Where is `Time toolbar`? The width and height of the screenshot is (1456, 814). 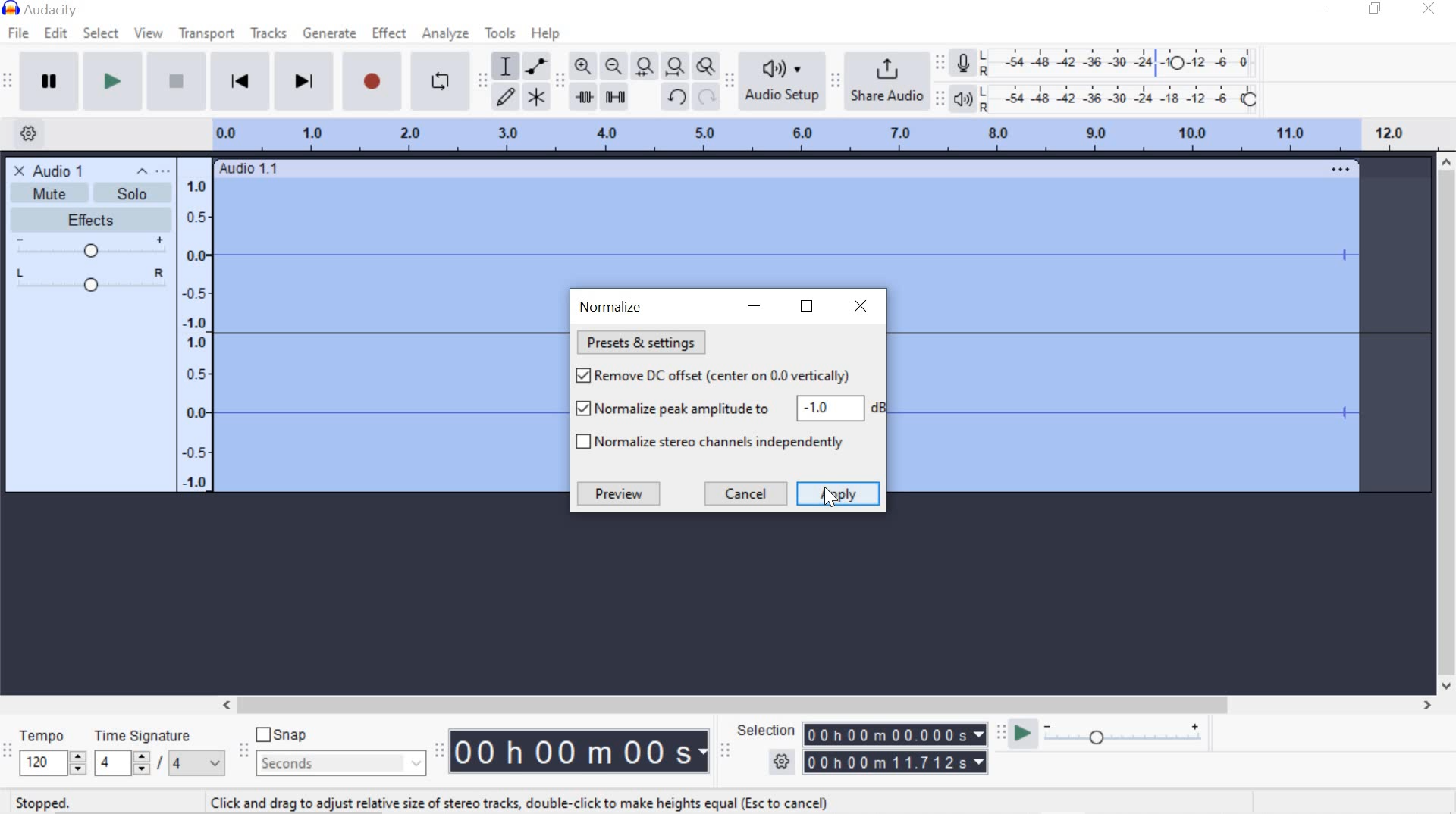
Time toolbar is located at coordinates (441, 750).